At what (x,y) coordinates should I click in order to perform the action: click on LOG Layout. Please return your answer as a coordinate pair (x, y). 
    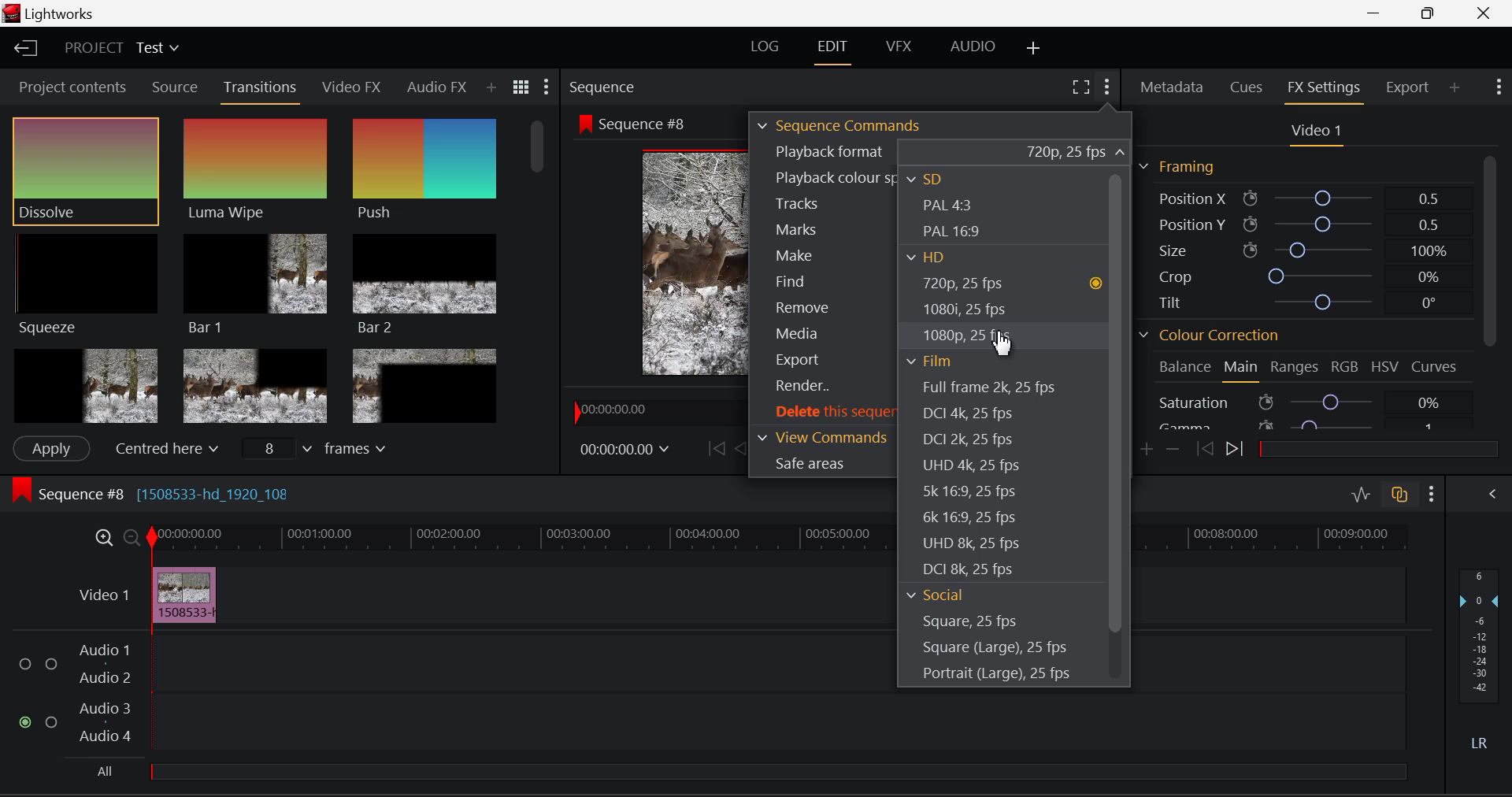
    Looking at the image, I should click on (769, 46).